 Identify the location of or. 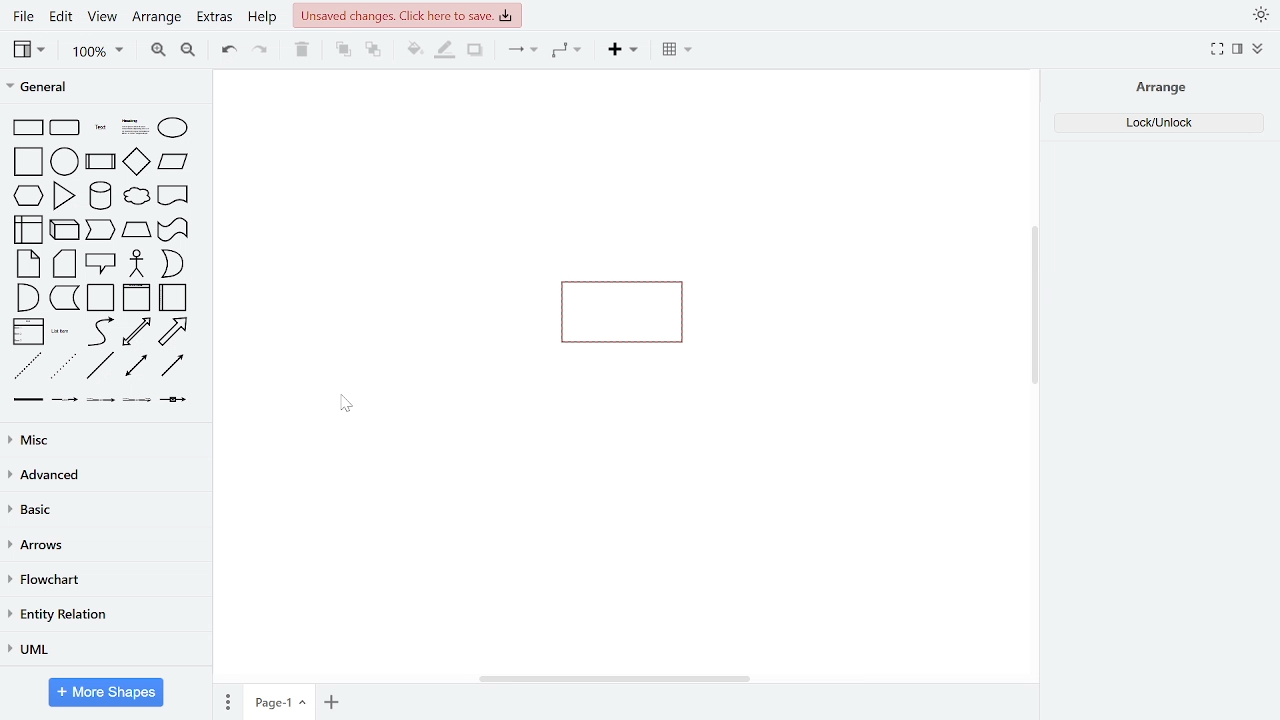
(171, 264).